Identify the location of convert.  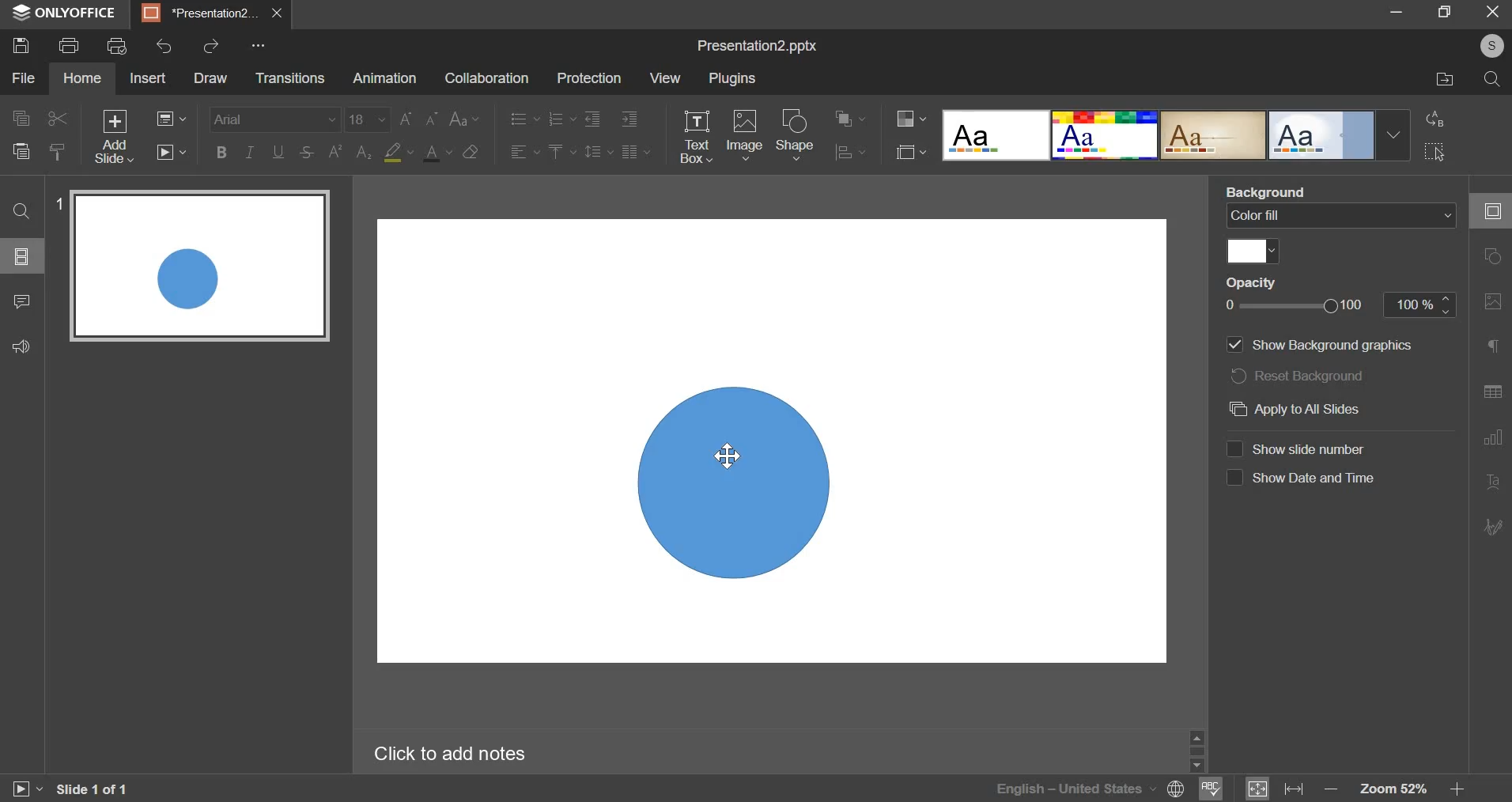
(1437, 119).